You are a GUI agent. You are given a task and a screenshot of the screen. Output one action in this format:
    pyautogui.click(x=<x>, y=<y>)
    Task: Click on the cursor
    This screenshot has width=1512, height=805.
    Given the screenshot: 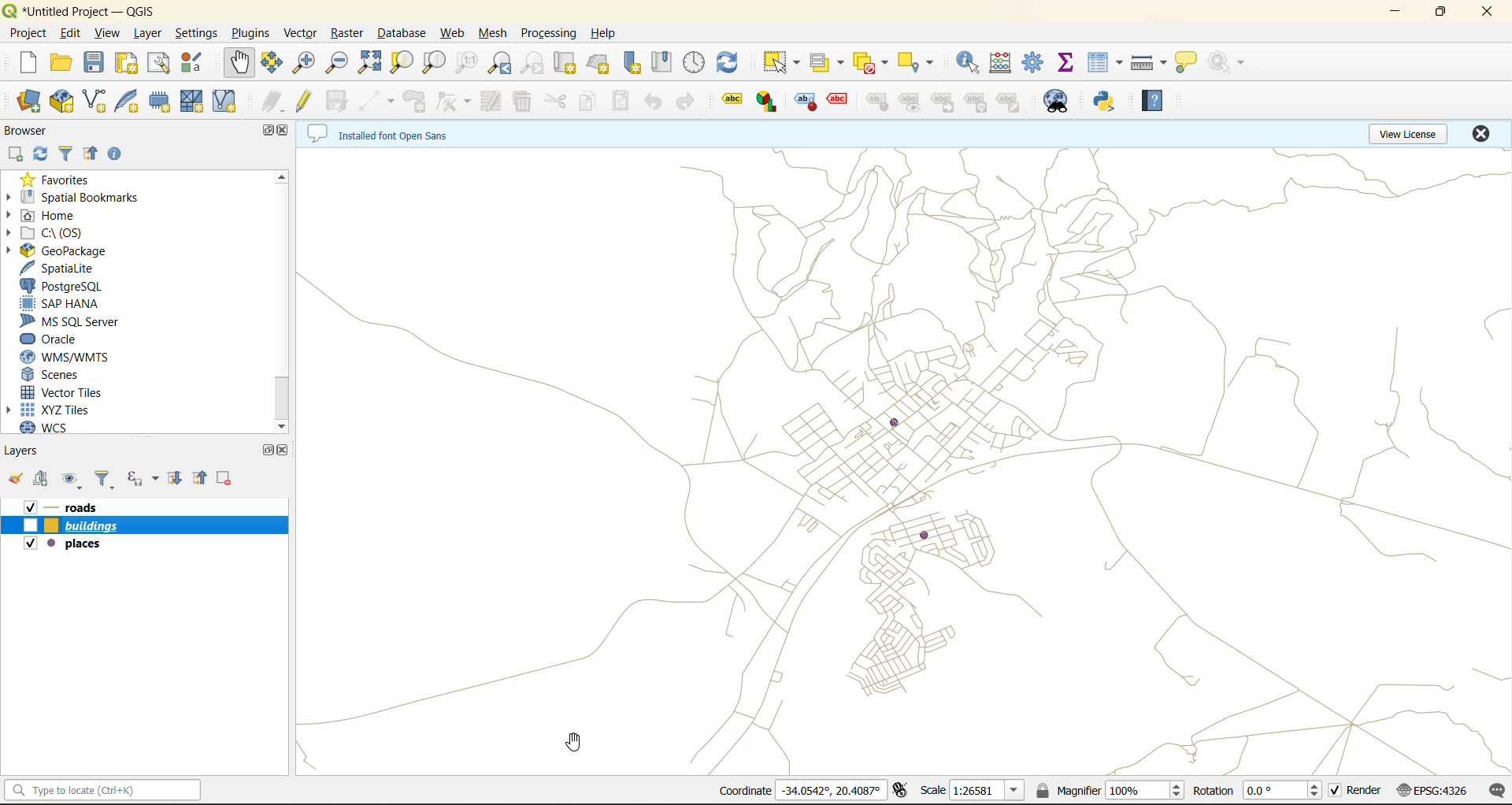 What is the action you would take?
    pyautogui.click(x=576, y=741)
    